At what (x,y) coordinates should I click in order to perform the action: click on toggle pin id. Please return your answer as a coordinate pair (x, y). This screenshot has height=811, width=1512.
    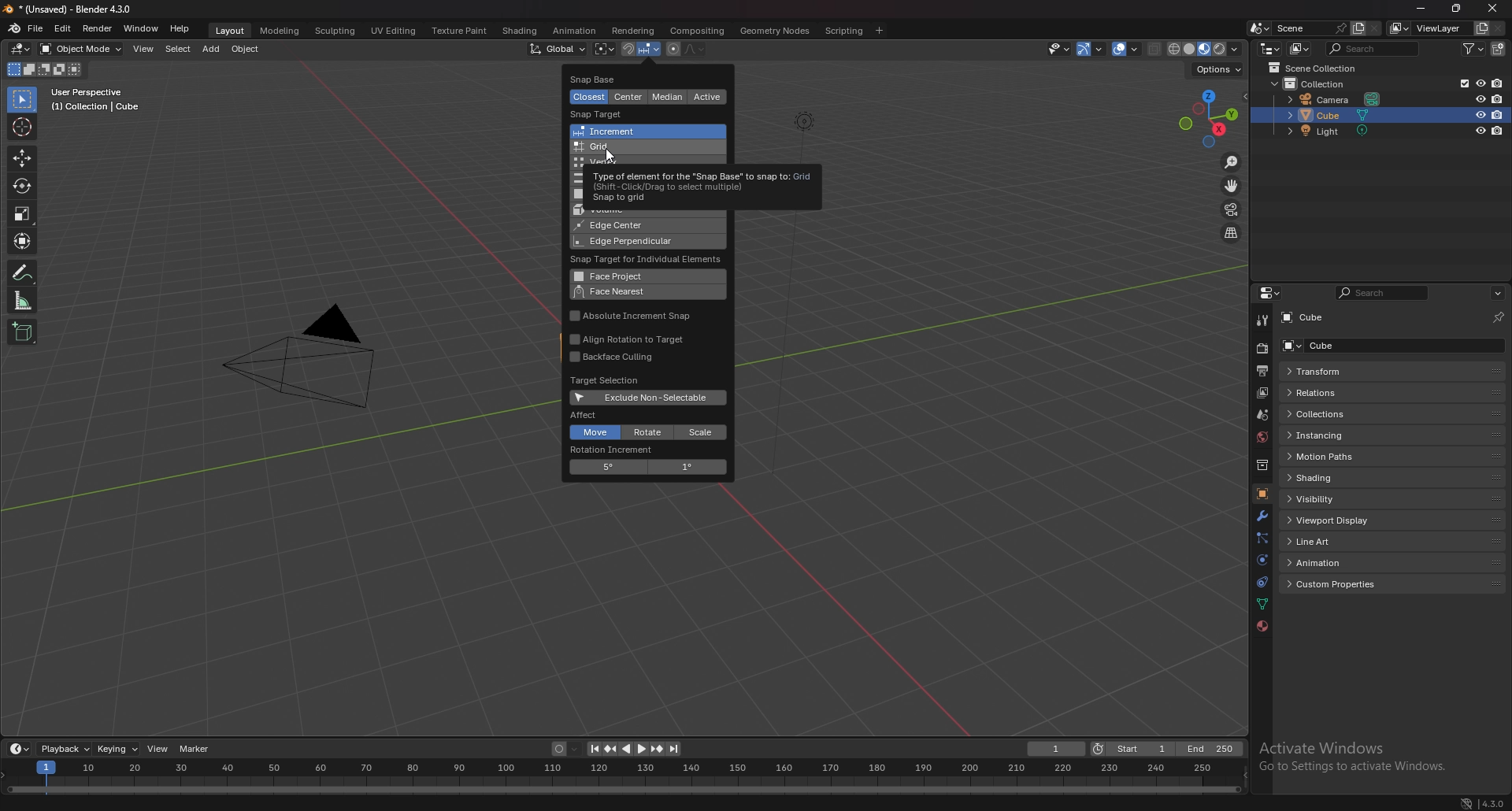
    Looking at the image, I should click on (1499, 315).